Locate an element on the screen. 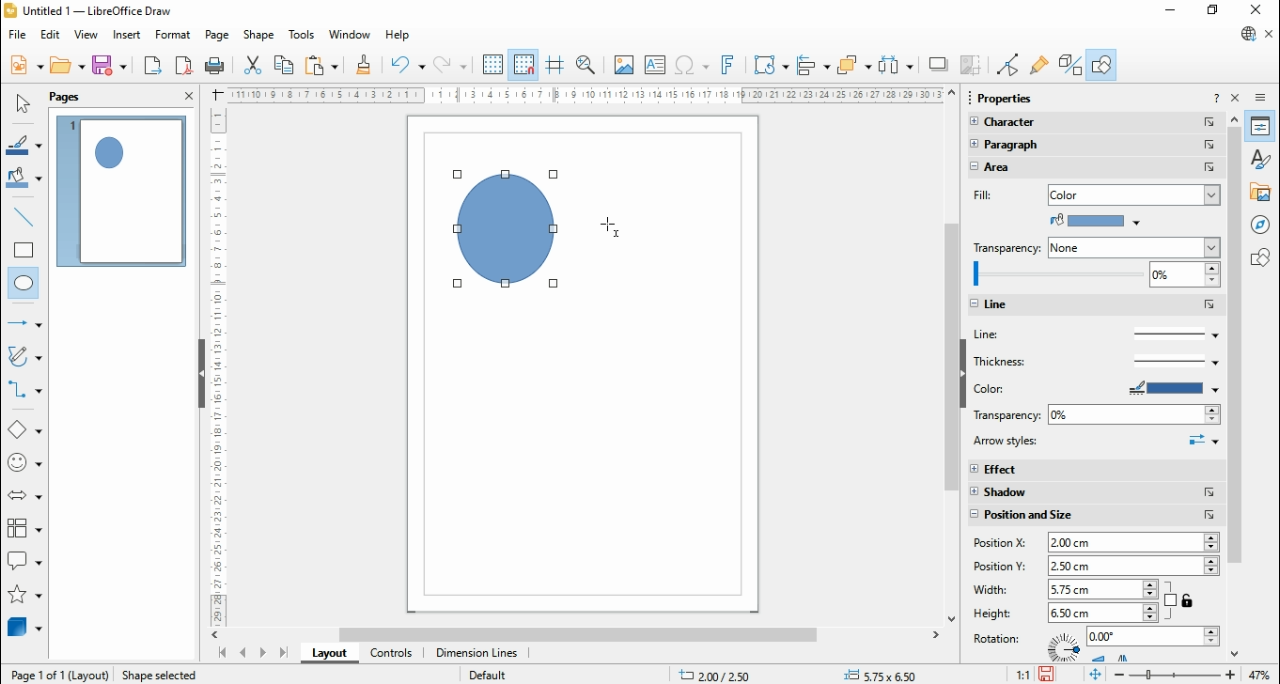 The width and height of the screenshot is (1280, 684). constrain proportions is located at coordinates (1180, 599).